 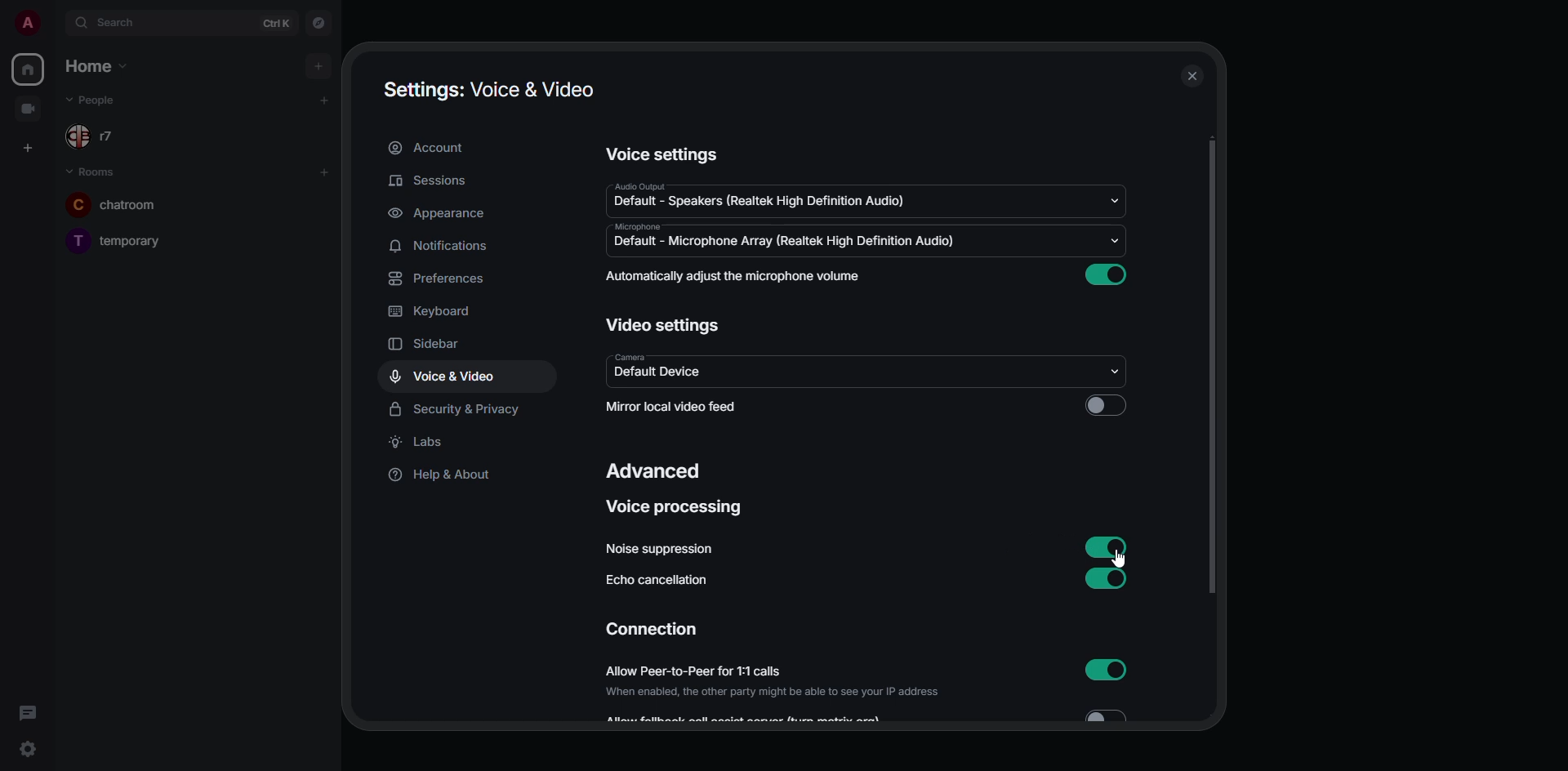 What do you see at coordinates (663, 374) in the screenshot?
I see `default` at bounding box center [663, 374].